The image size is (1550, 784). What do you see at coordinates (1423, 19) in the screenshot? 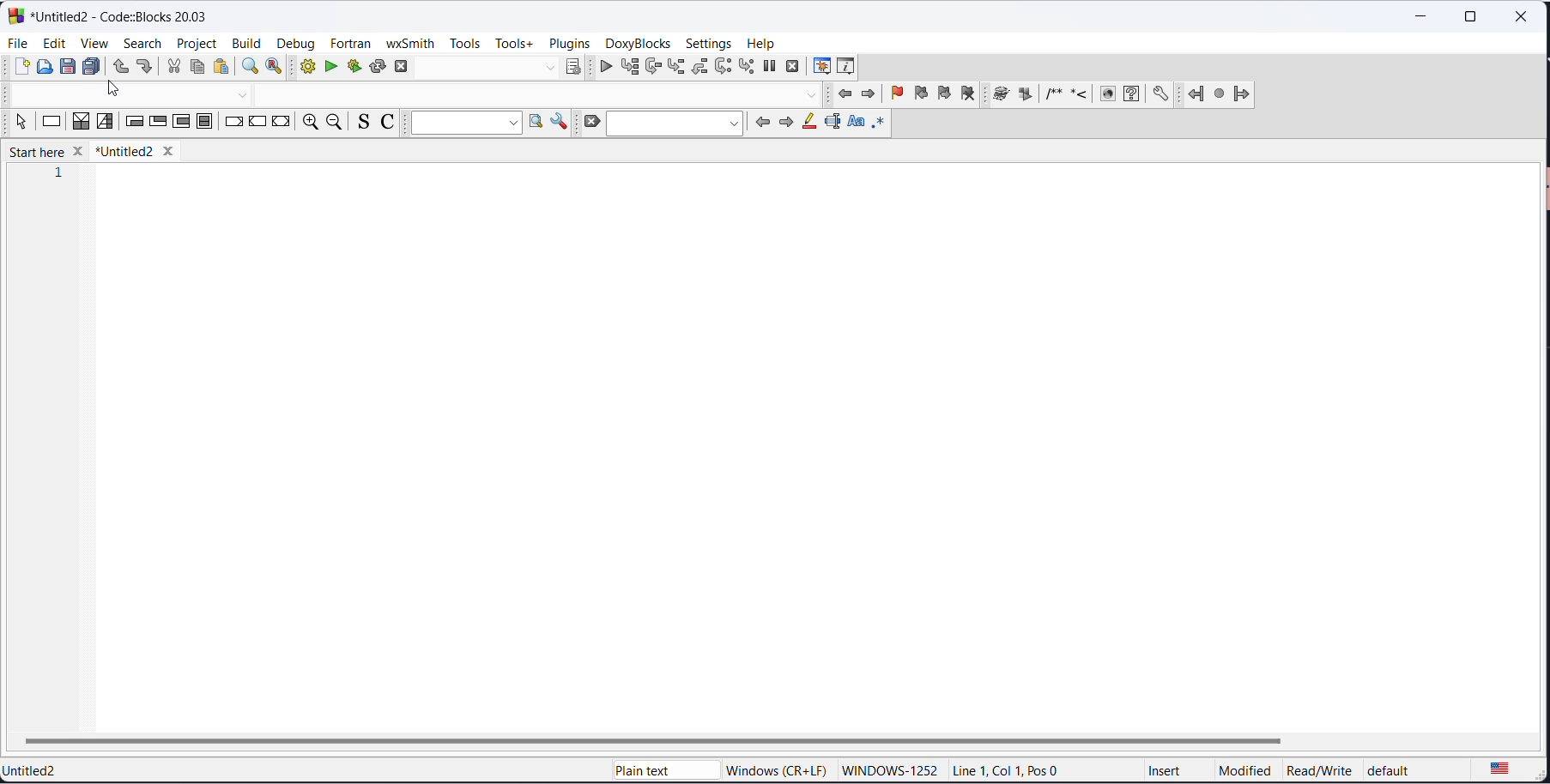
I see `minimize` at bounding box center [1423, 19].